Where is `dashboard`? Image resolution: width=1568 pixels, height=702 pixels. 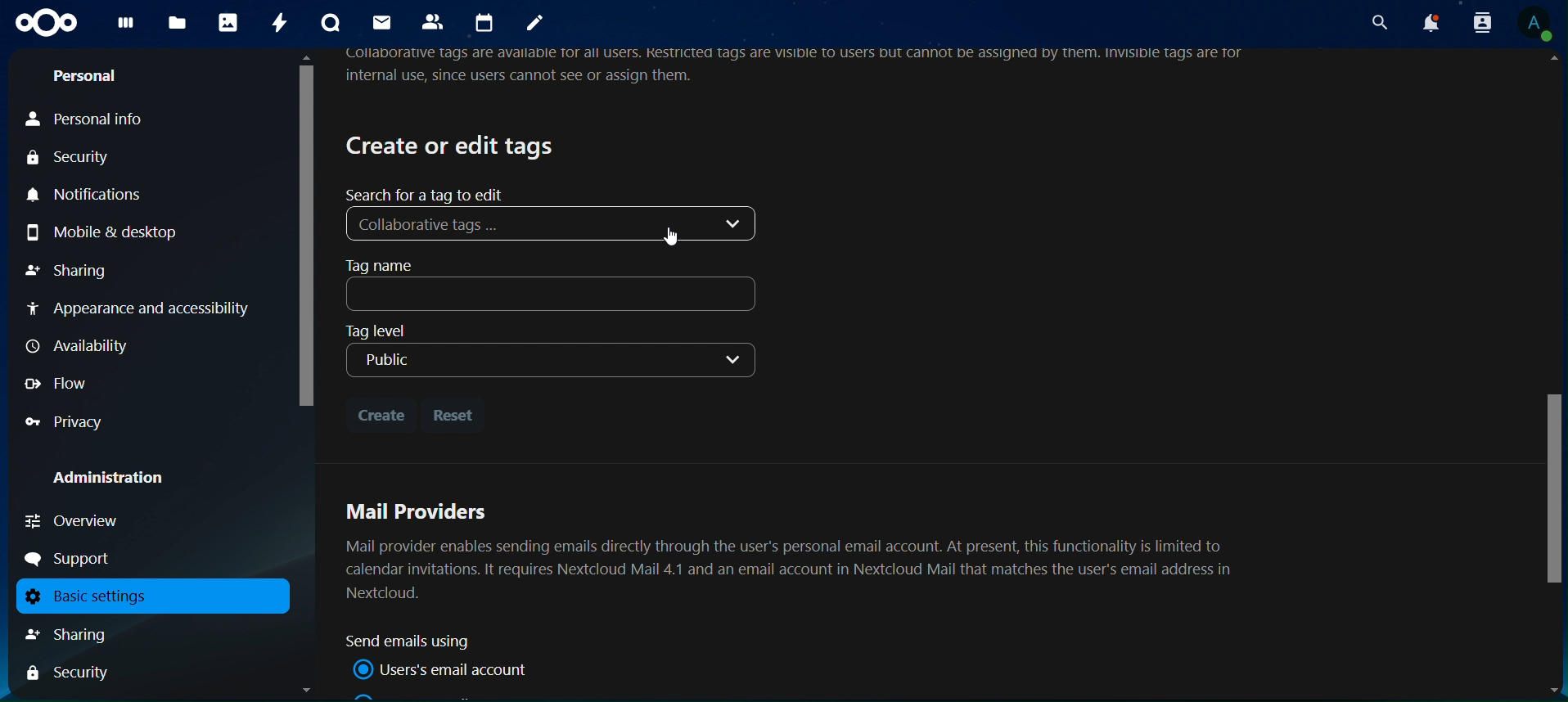 dashboard is located at coordinates (126, 27).